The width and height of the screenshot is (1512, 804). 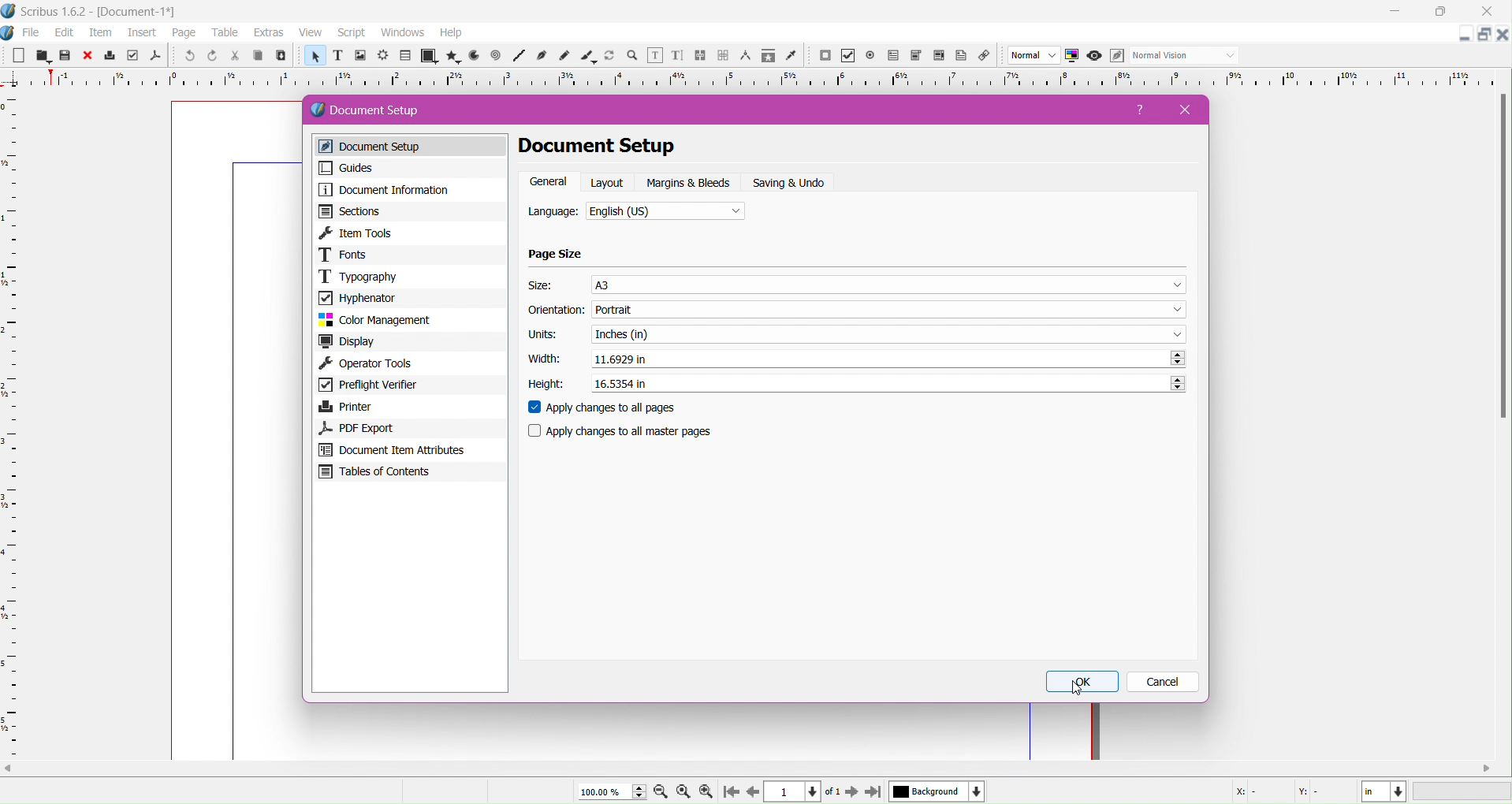 What do you see at coordinates (270, 33) in the screenshot?
I see `extras menu` at bounding box center [270, 33].